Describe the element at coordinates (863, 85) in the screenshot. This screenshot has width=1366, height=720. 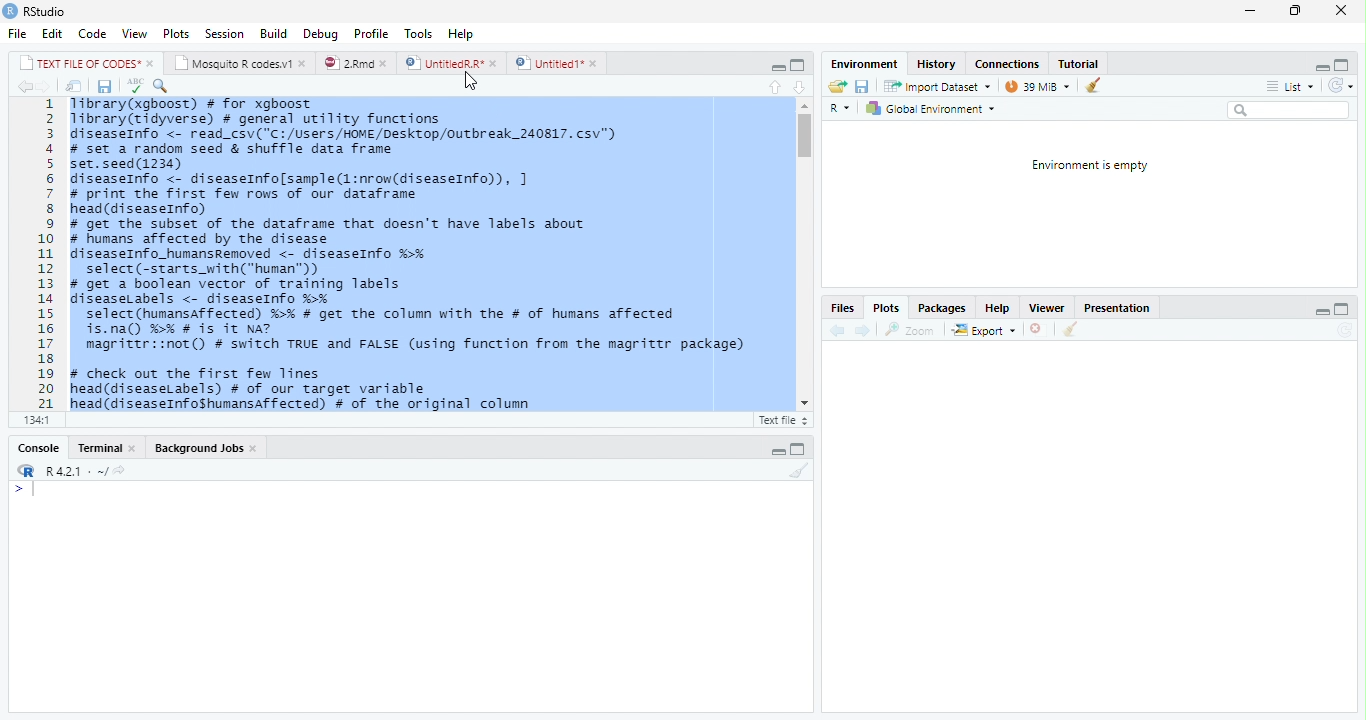
I see `Save` at that location.